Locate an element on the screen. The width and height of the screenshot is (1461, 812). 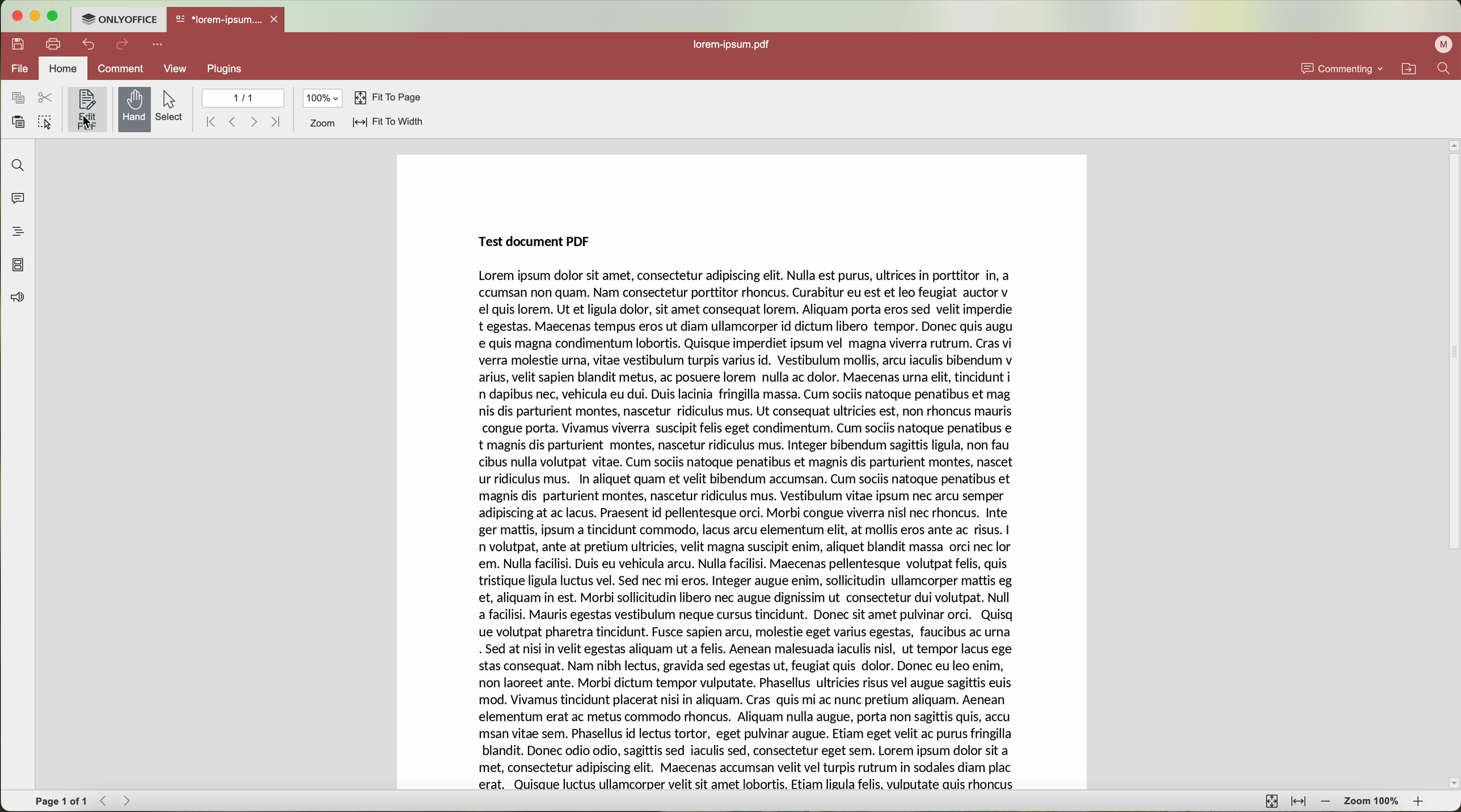
undo is located at coordinates (90, 44).